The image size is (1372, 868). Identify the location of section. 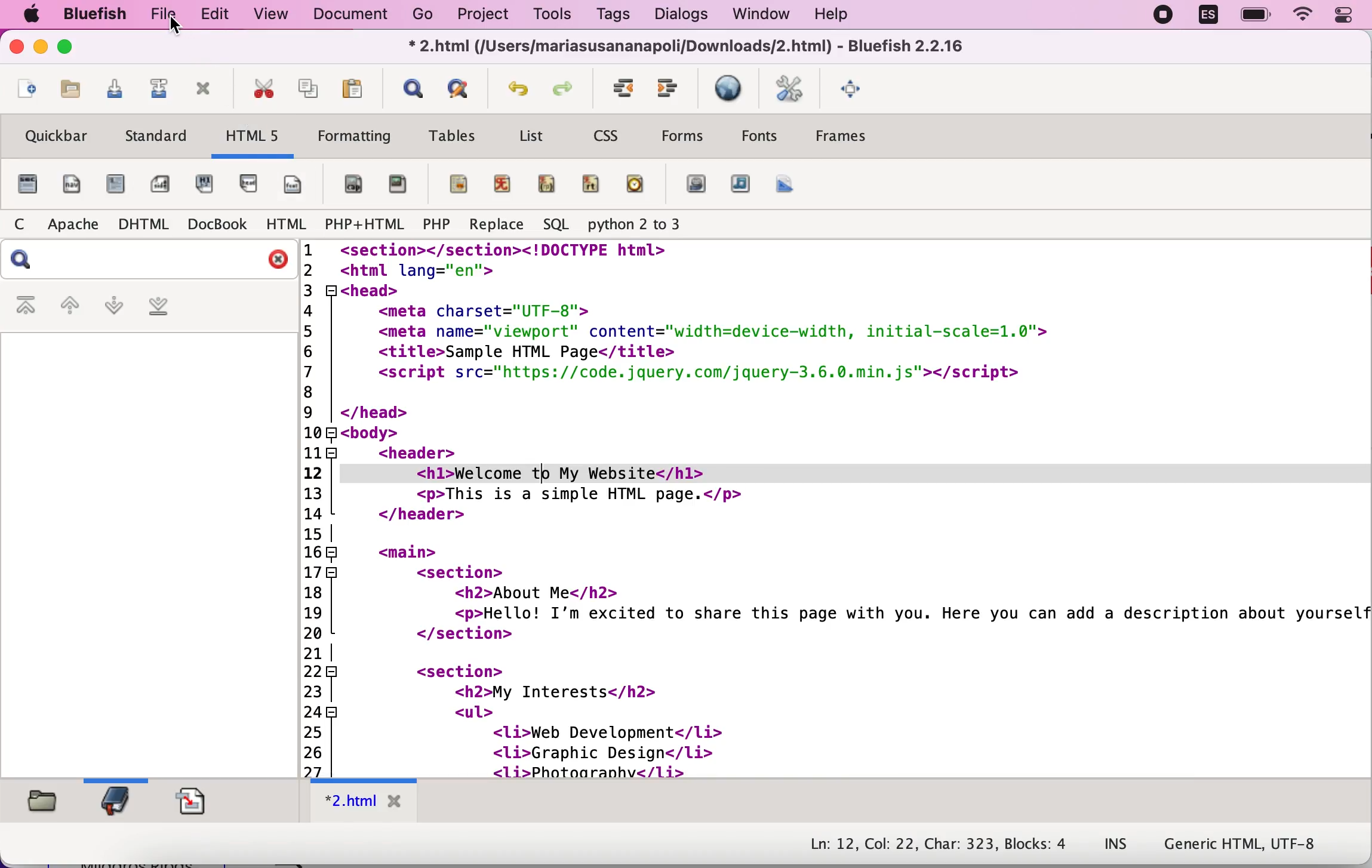
(26, 184).